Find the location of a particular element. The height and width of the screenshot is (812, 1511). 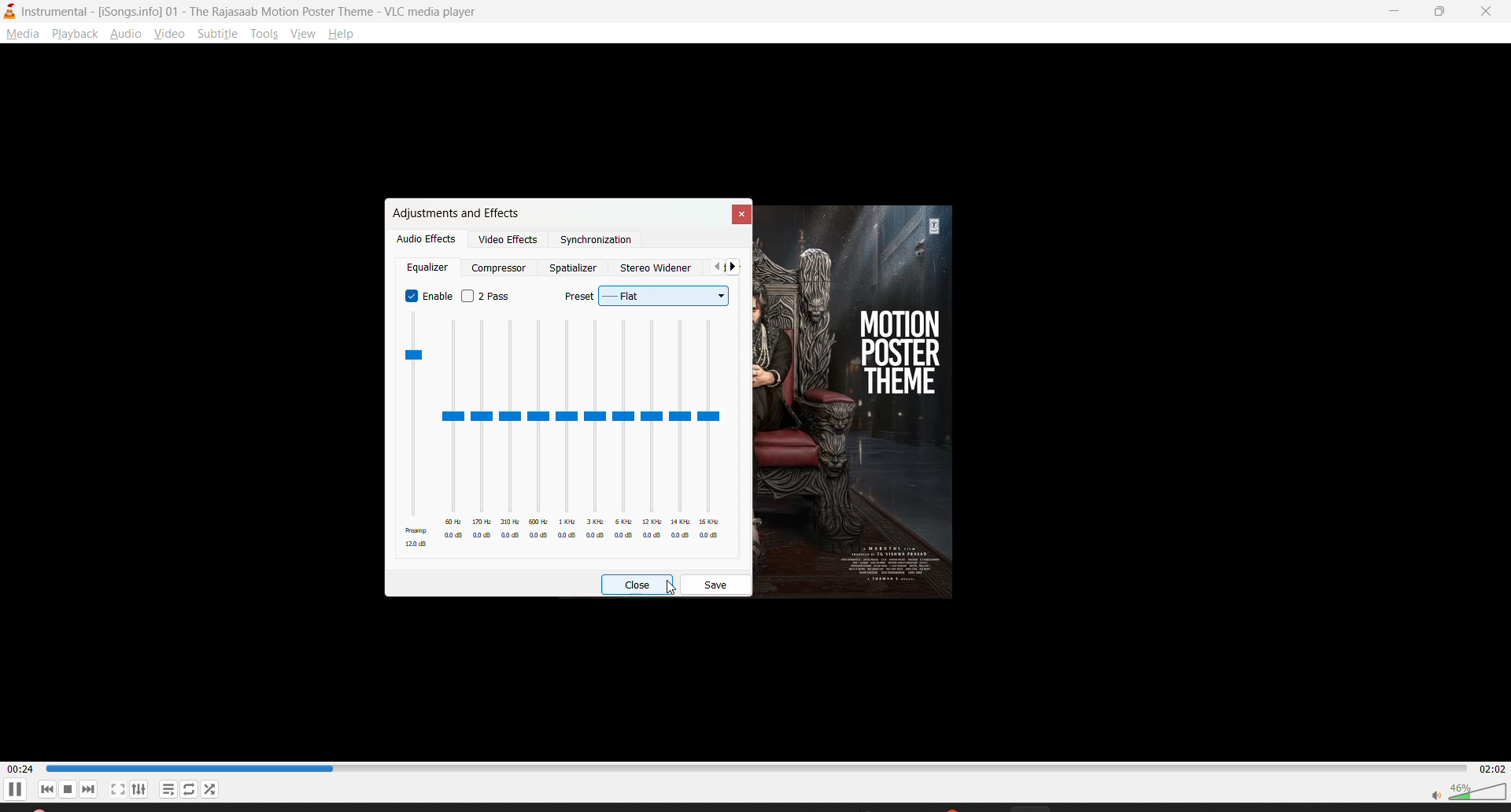

preset is located at coordinates (652, 293).